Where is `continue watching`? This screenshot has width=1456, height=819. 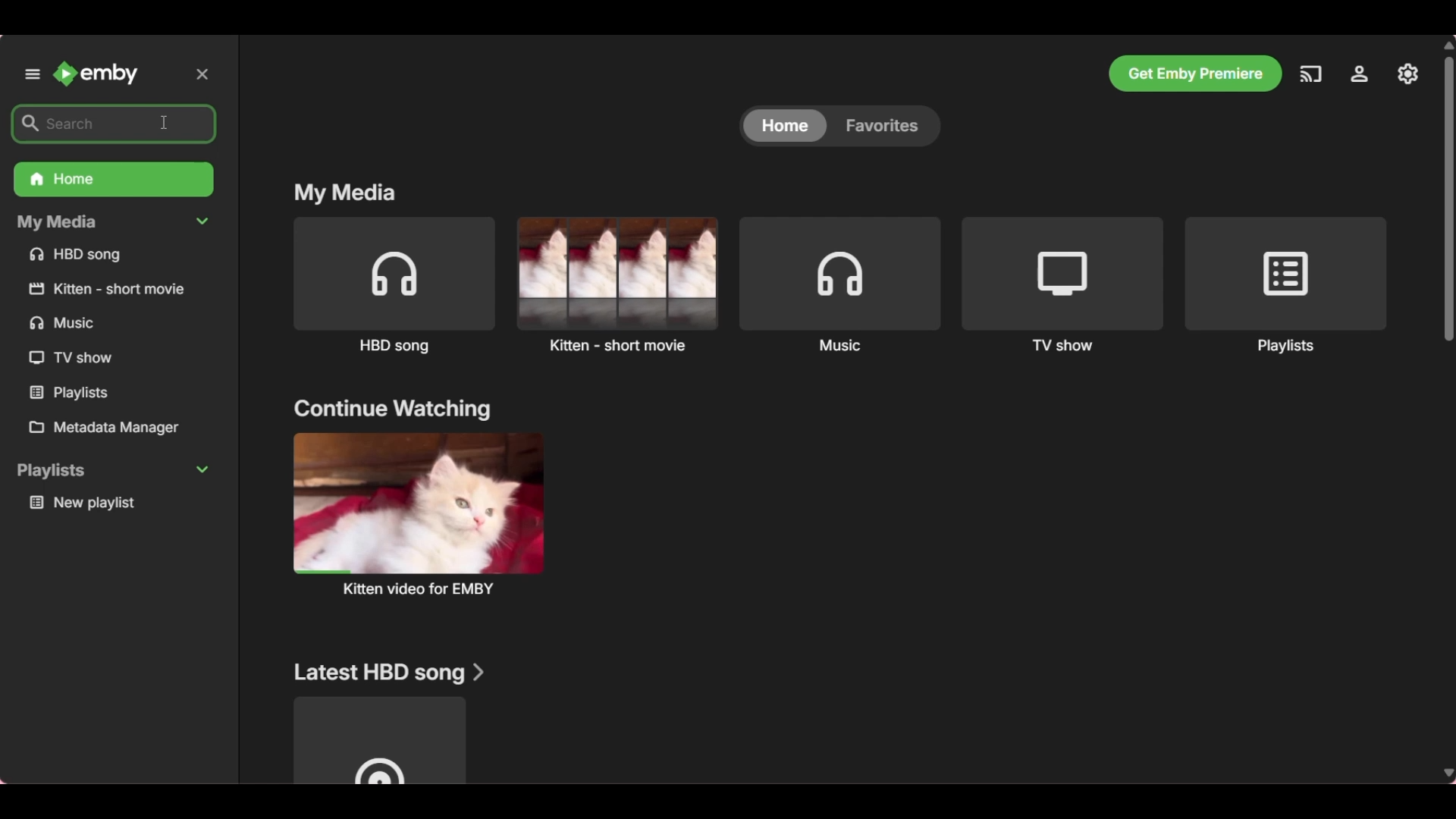 continue watching is located at coordinates (392, 410).